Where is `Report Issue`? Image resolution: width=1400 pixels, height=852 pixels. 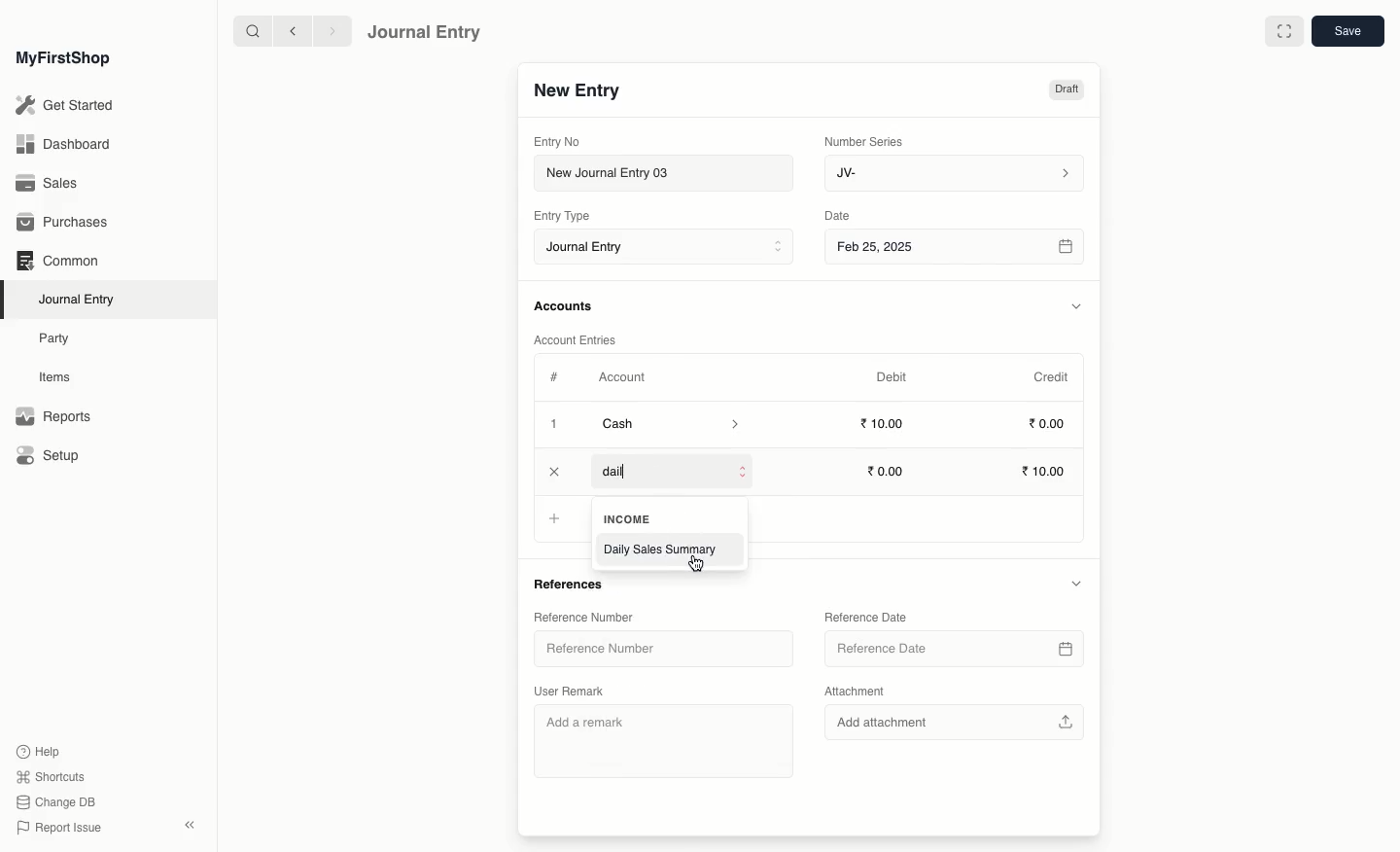
Report Issue is located at coordinates (57, 828).